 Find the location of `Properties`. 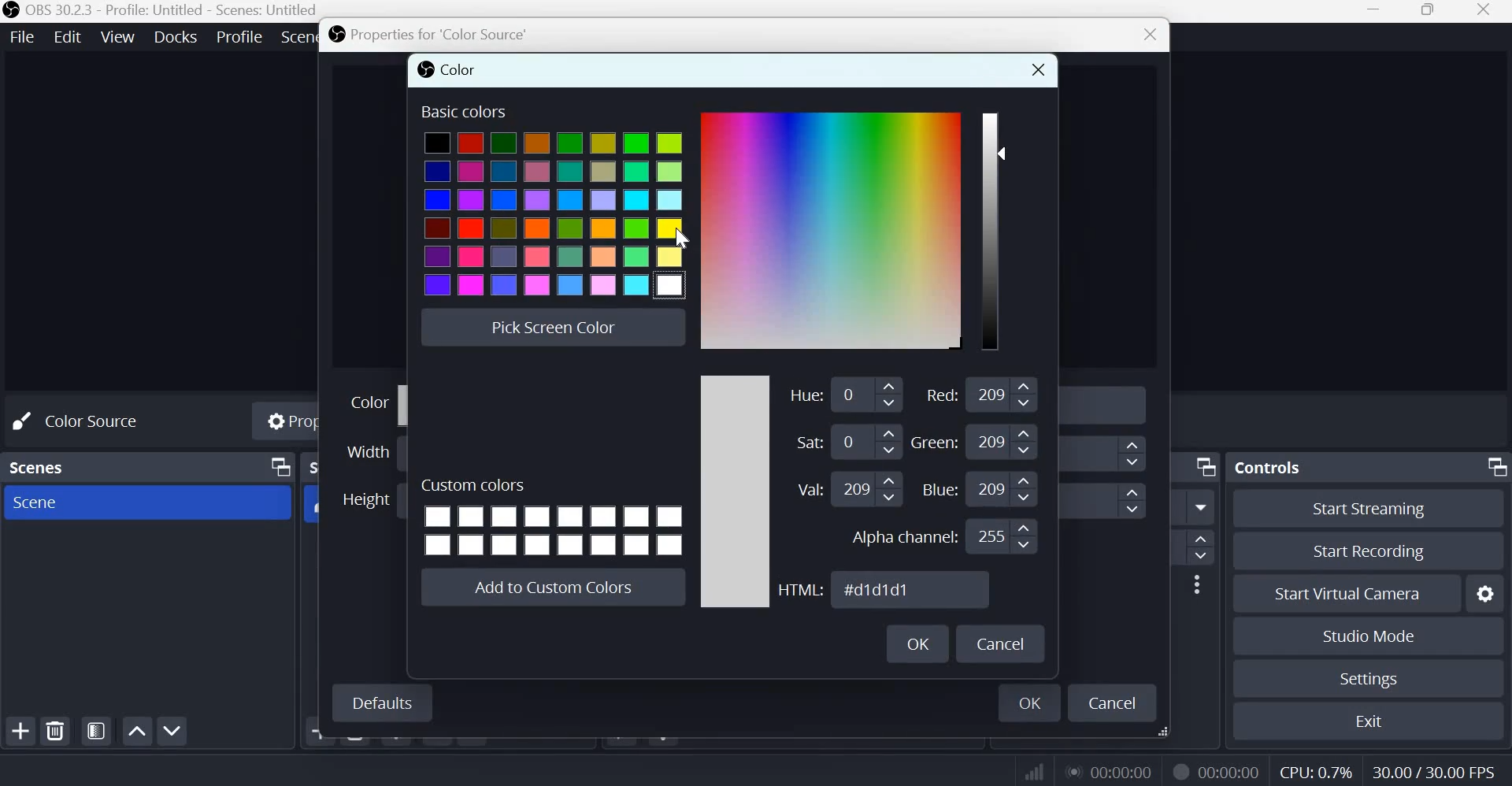

Properties is located at coordinates (287, 423).